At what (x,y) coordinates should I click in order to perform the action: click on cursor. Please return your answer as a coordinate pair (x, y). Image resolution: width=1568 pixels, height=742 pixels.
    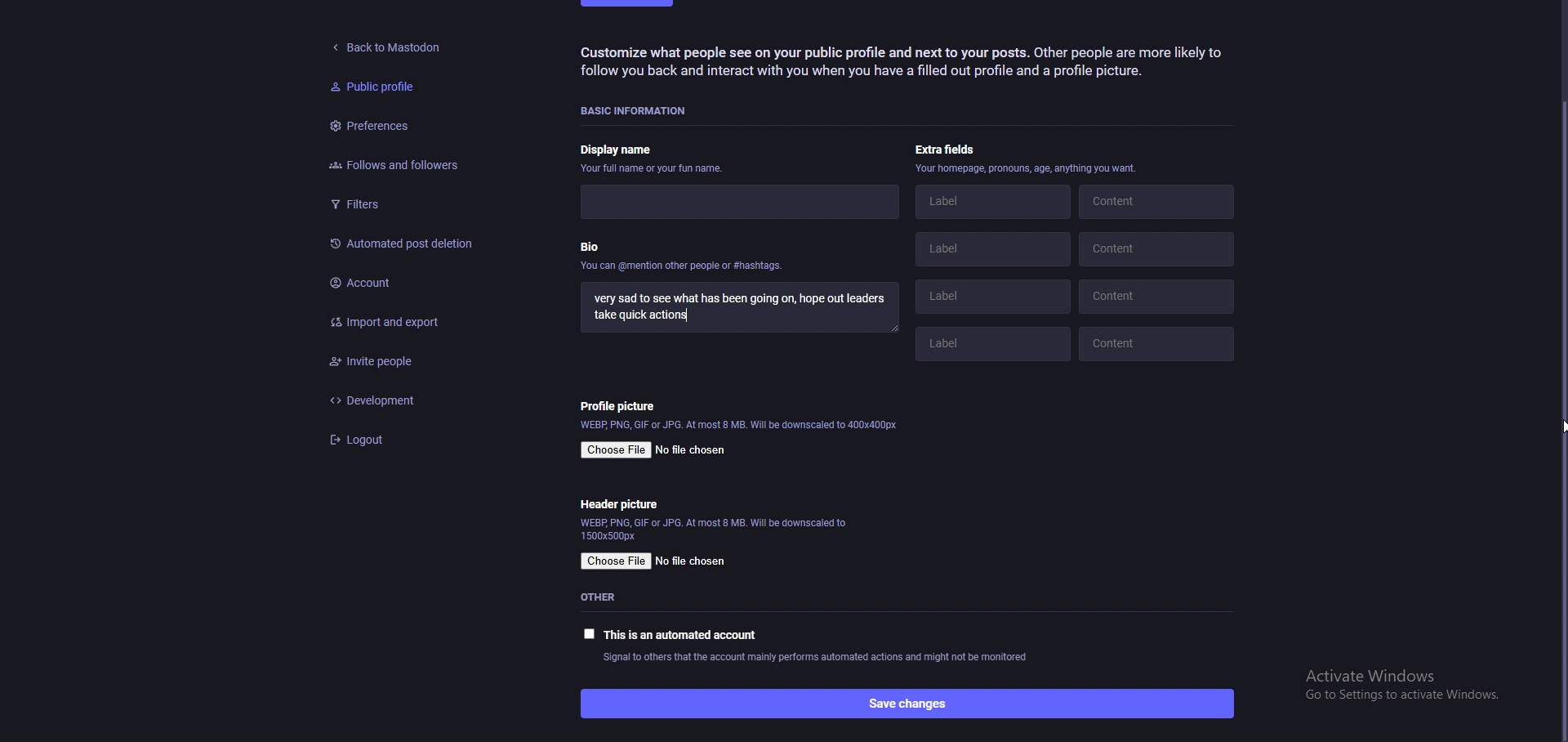
    Looking at the image, I should click on (1563, 419).